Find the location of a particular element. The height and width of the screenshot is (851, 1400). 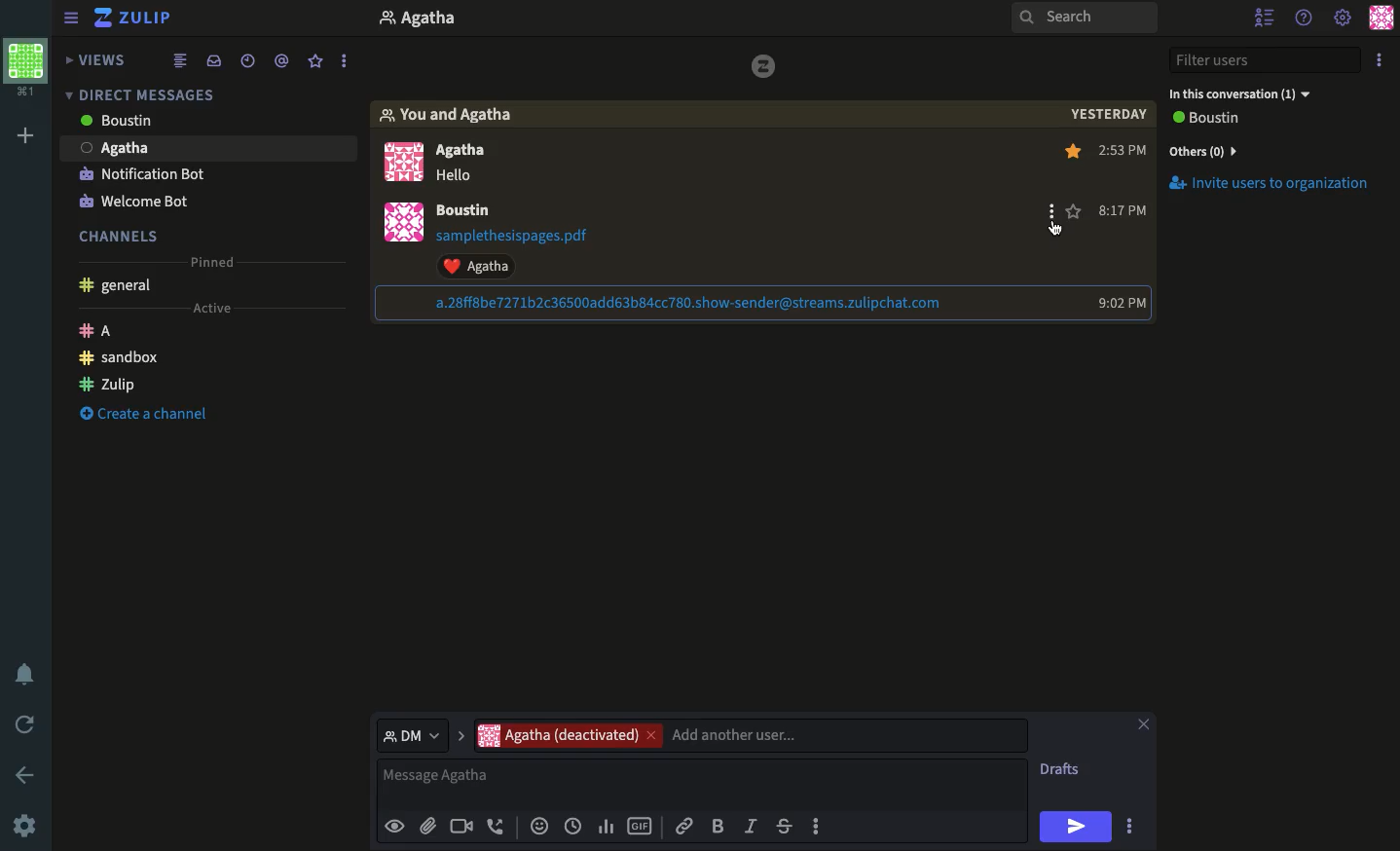

In this conversation is located at coordinates (1239, 94).